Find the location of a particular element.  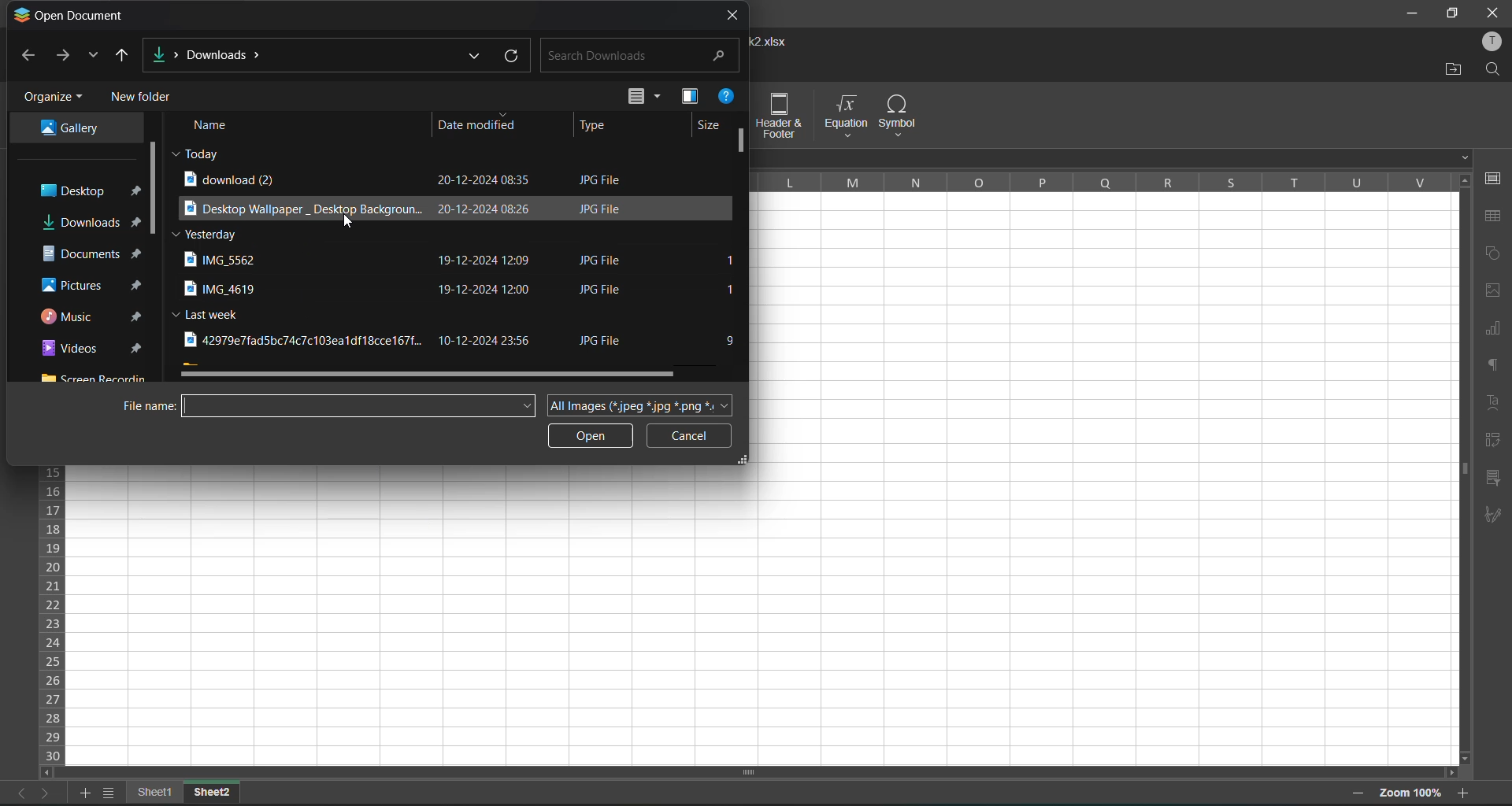

images is located at coordinates (1495, 289).